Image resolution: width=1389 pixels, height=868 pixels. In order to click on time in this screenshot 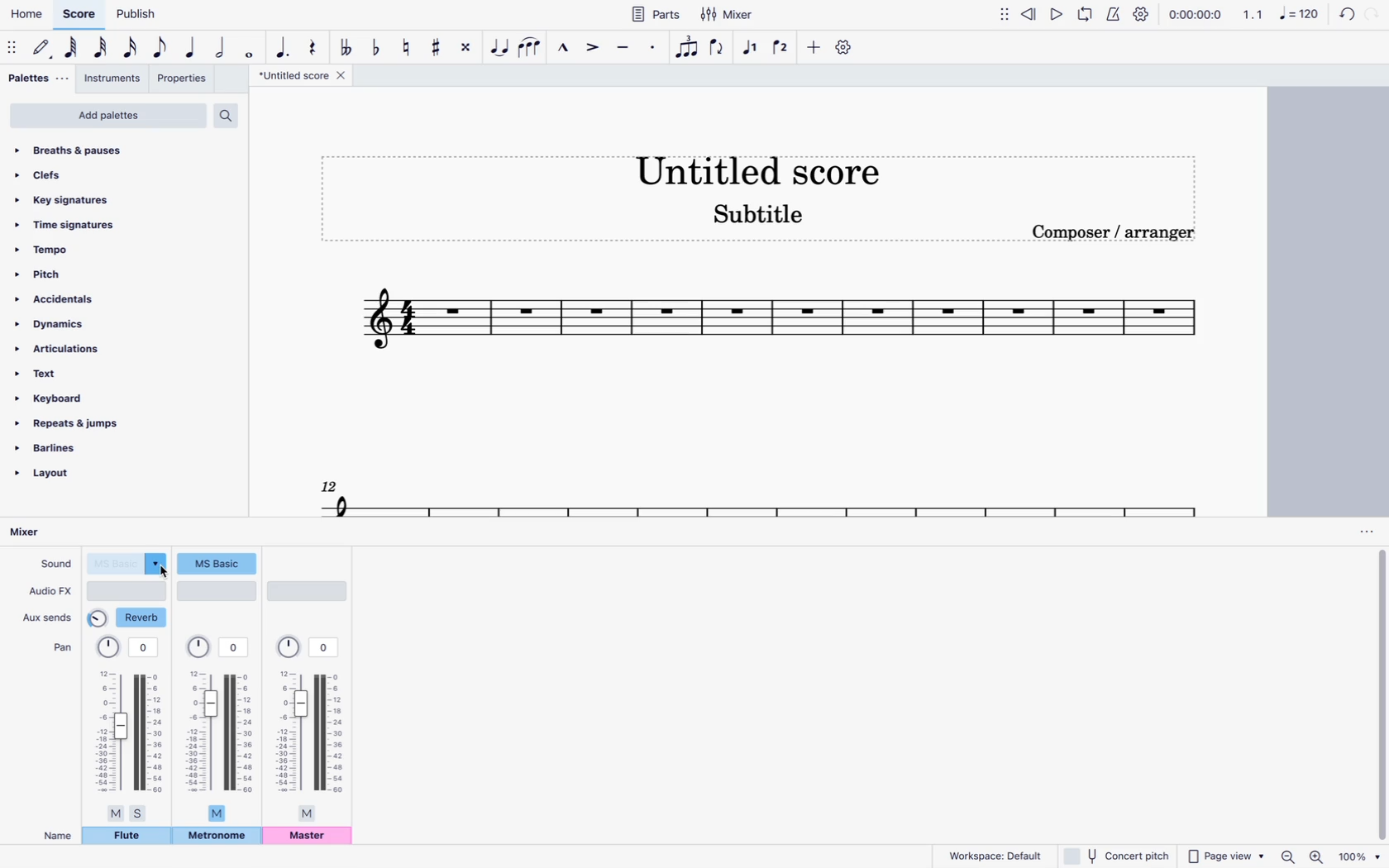, I will do `click(1195, 13)`.